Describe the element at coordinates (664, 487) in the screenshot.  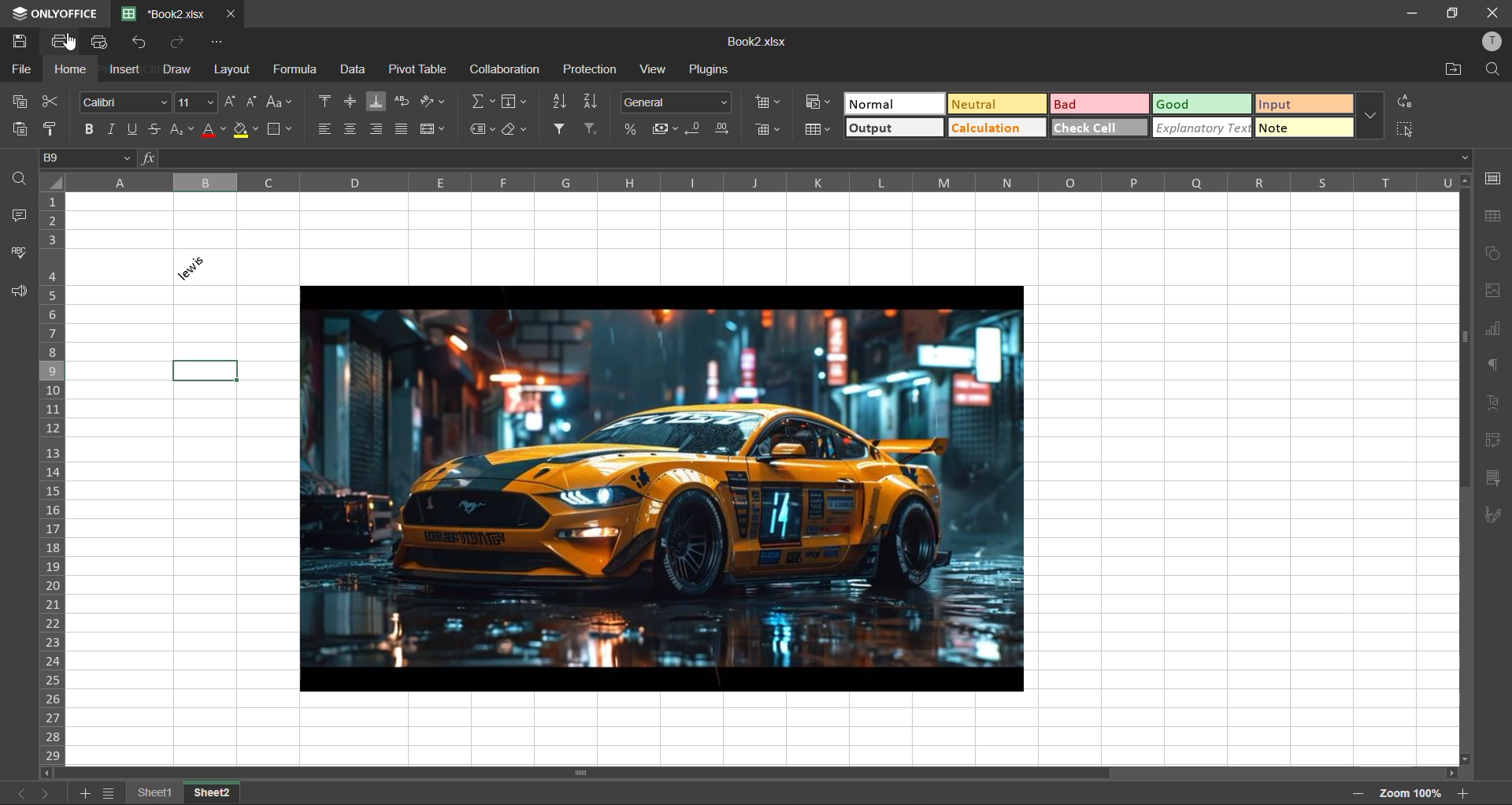
I see `picture` at that location.